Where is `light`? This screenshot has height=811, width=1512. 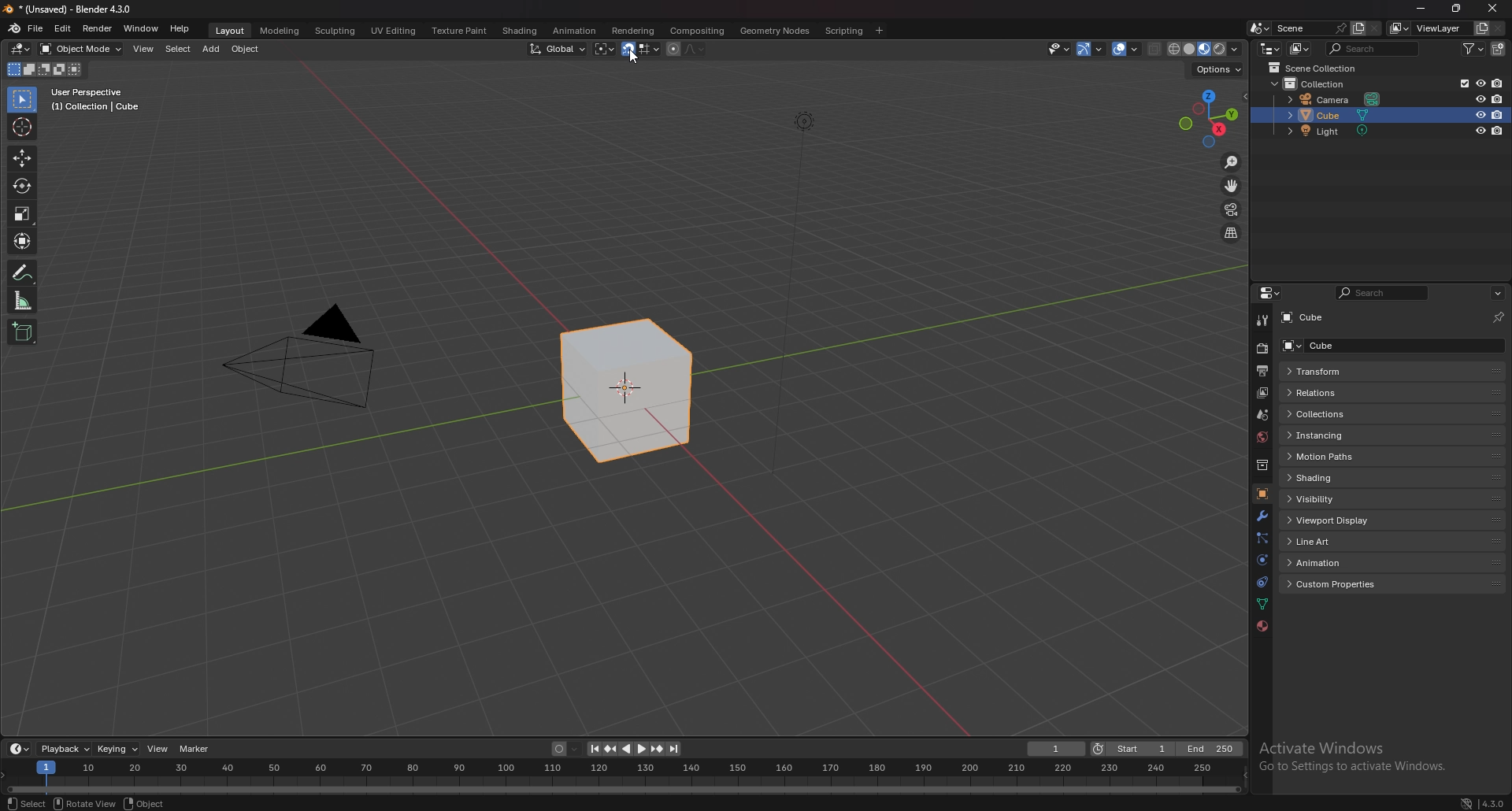
light is located at coordinates (1335, 131).